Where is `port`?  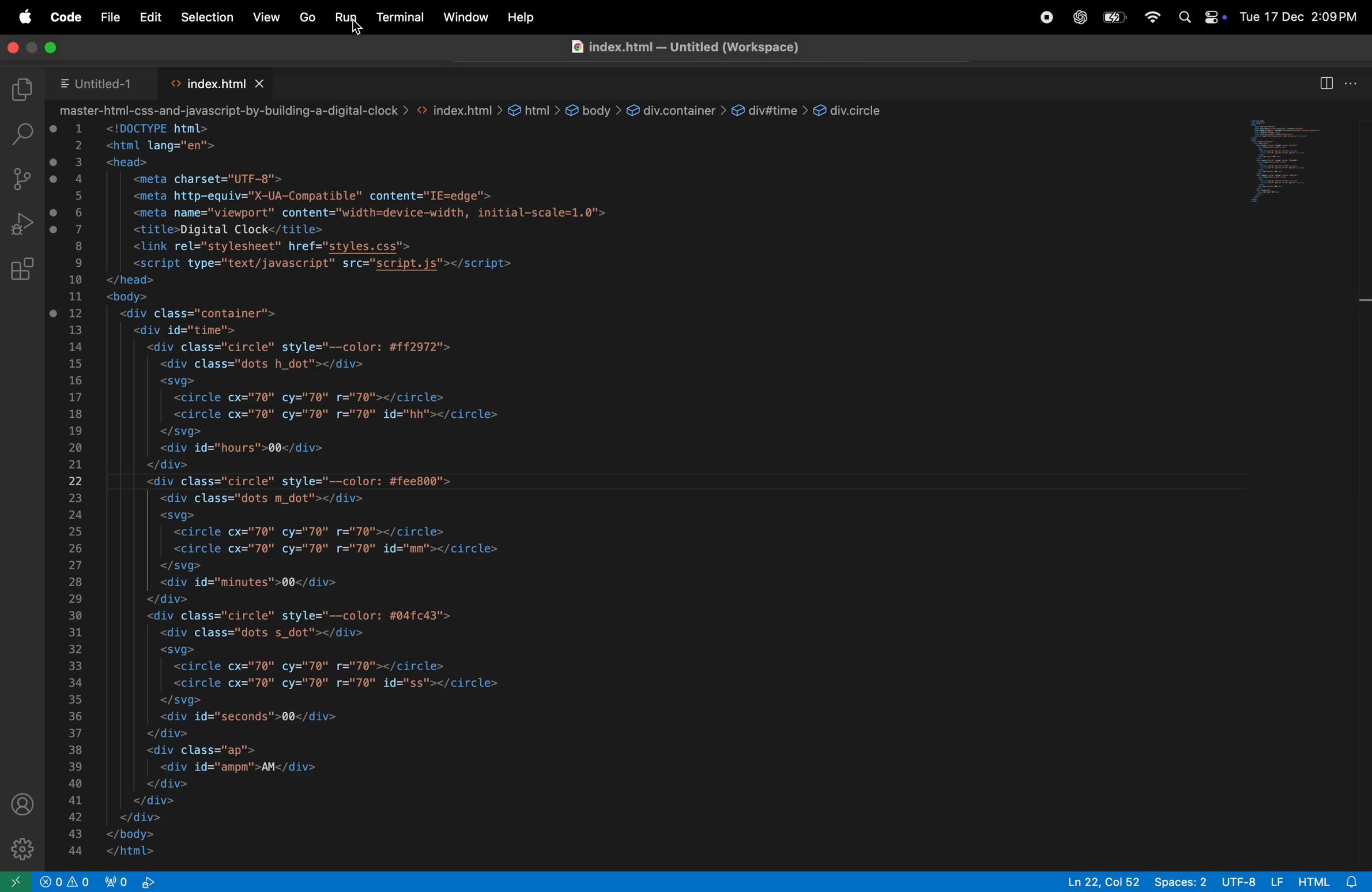
port is located at coordinates (119, 882).